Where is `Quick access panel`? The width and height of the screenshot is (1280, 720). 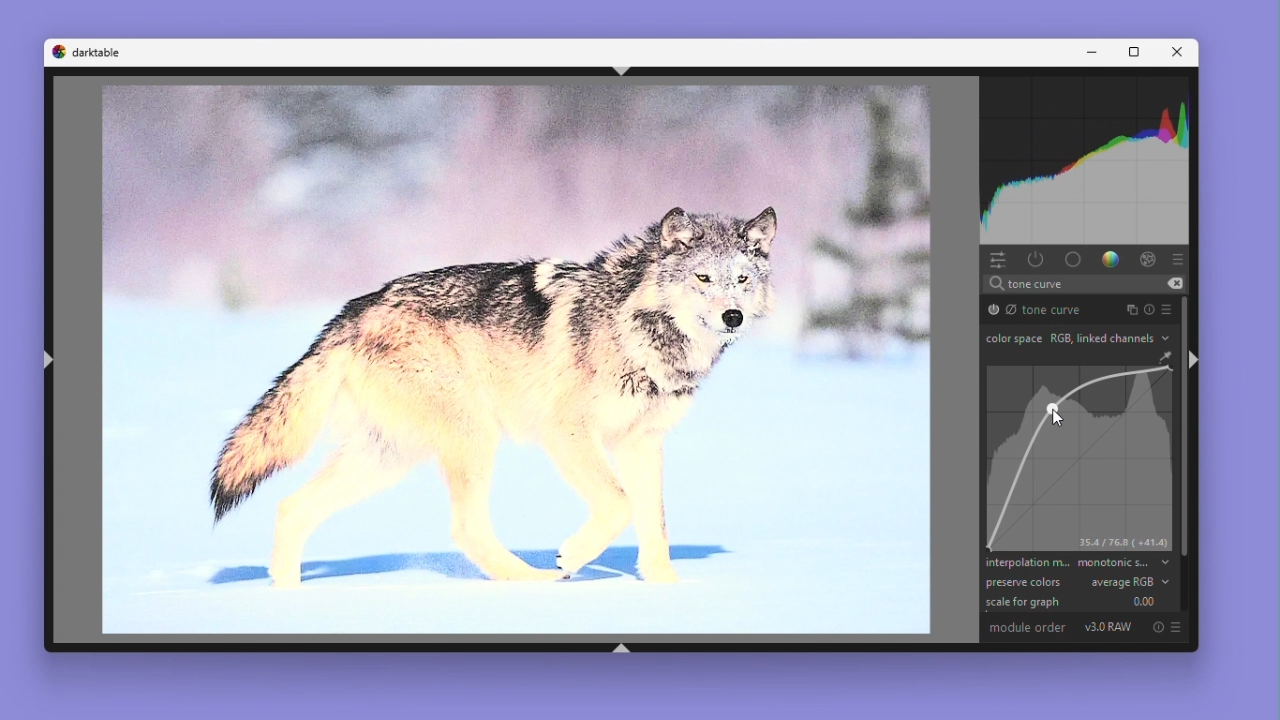
Quick access panel is located at coordinates (998, 259).